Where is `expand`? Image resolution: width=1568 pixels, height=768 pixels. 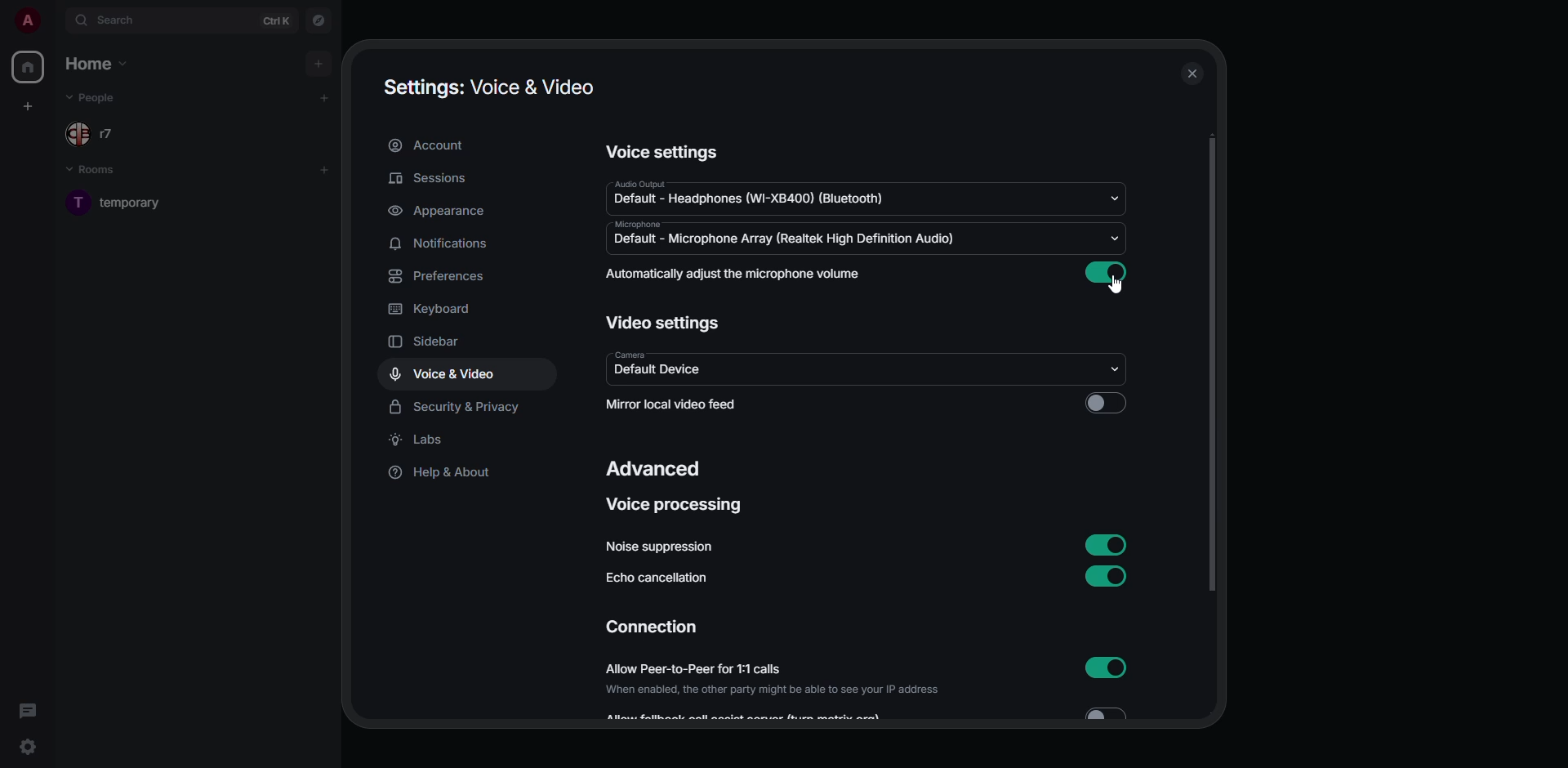 expand is located at coordinates (56, 20).